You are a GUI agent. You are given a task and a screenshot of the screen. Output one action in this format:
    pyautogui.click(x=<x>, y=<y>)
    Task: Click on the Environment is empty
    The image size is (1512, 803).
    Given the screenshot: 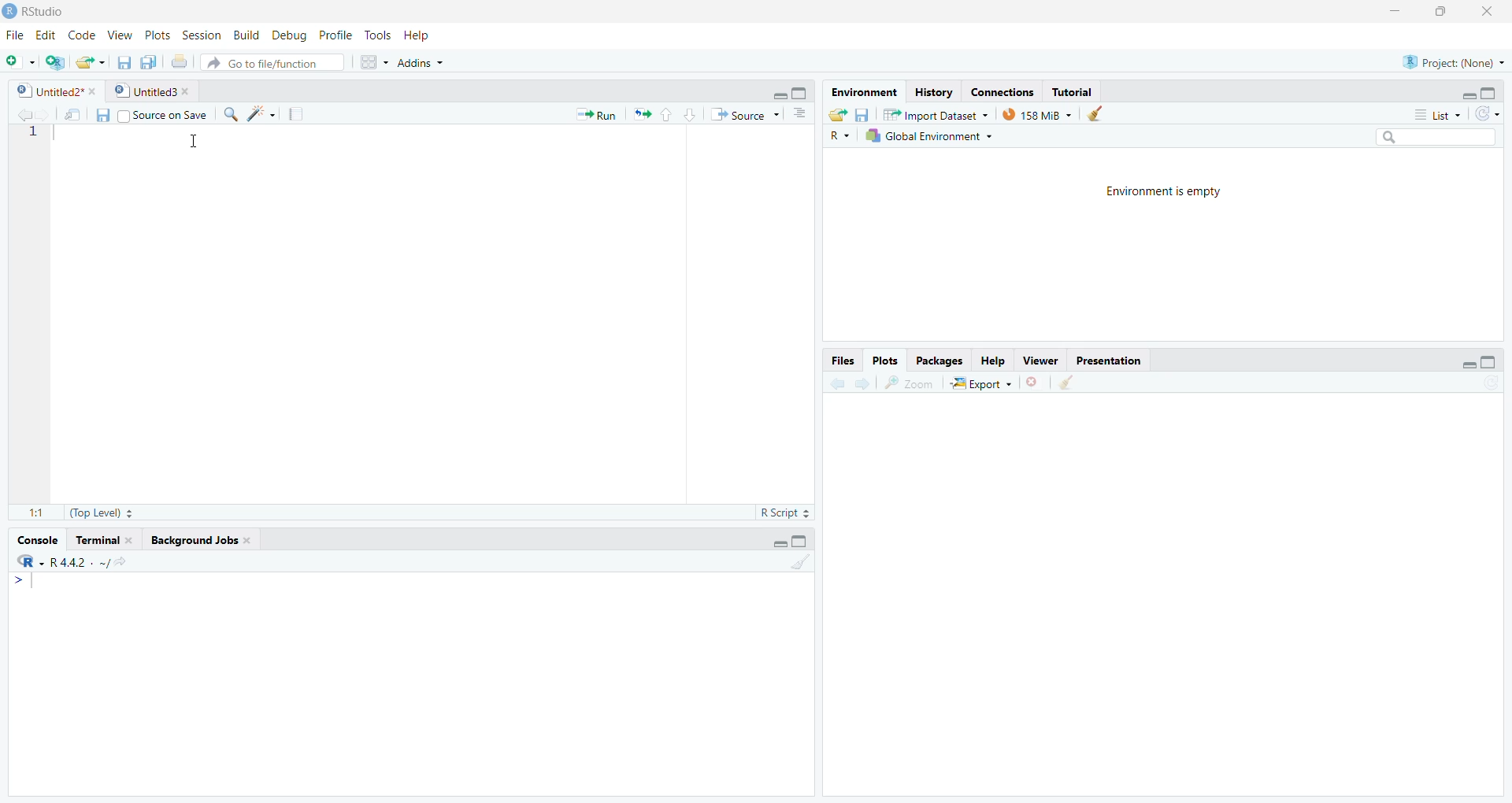 What is the action you would take?
    pyautogui.click(x=1159, y=191)
    